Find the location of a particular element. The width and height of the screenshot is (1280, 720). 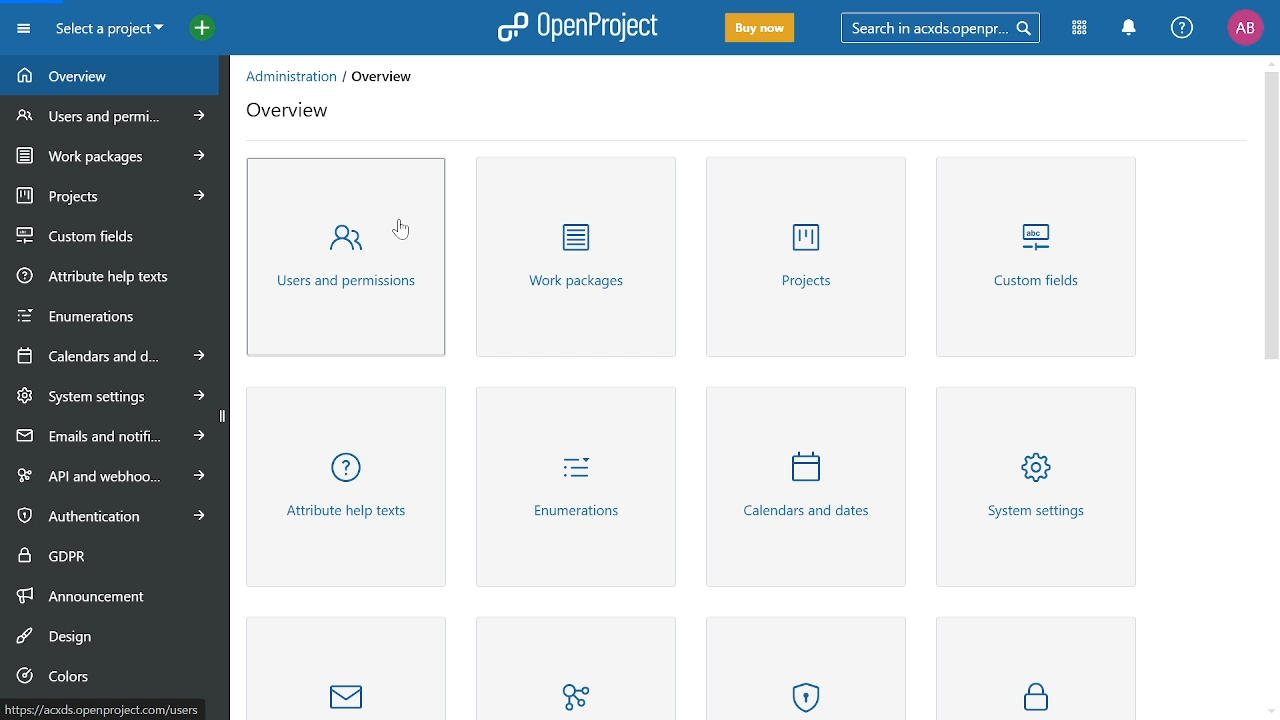

GDPR is located at coordinates (98, 558).